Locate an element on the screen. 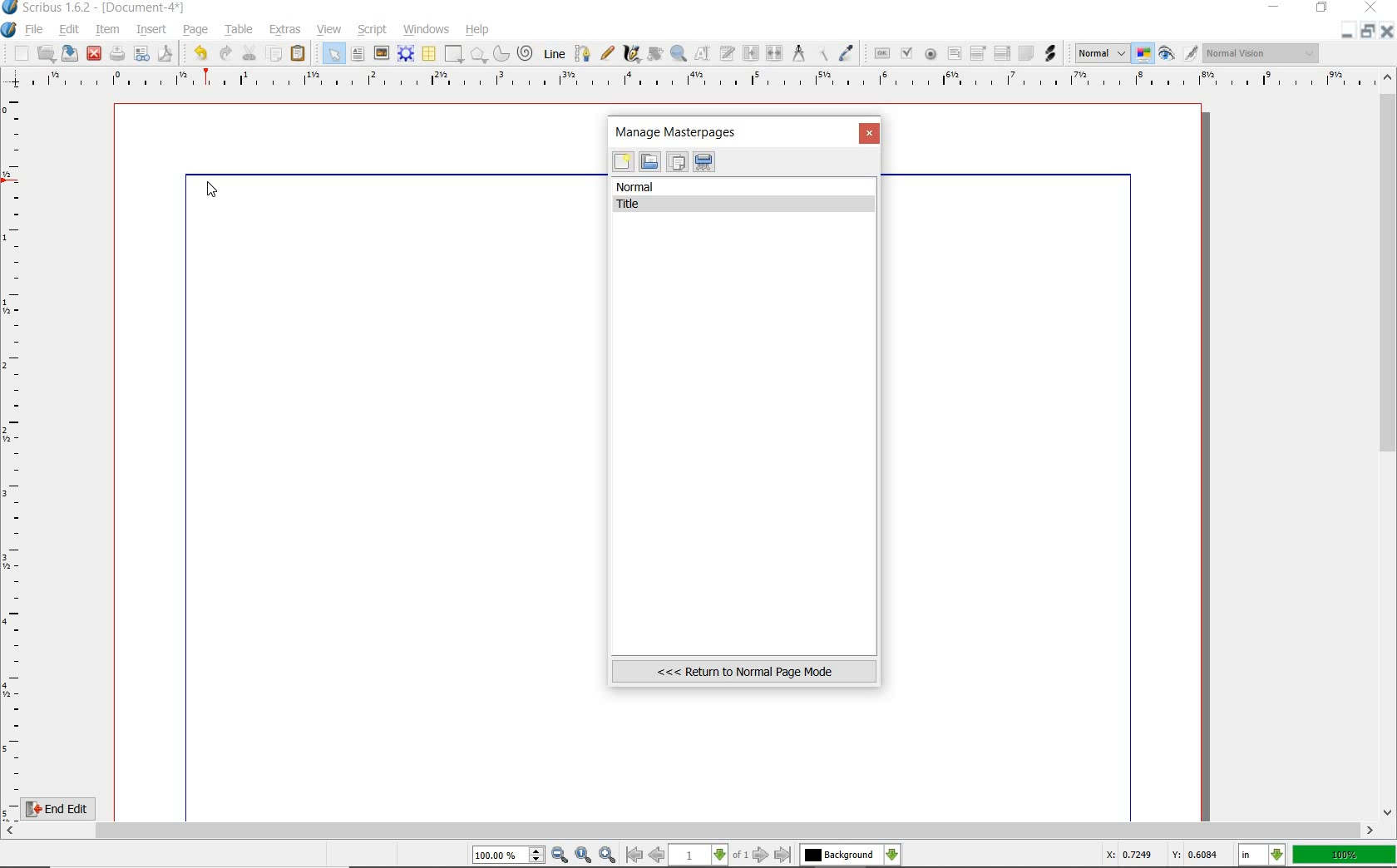  go to next page is located at coordinates (763, 855).